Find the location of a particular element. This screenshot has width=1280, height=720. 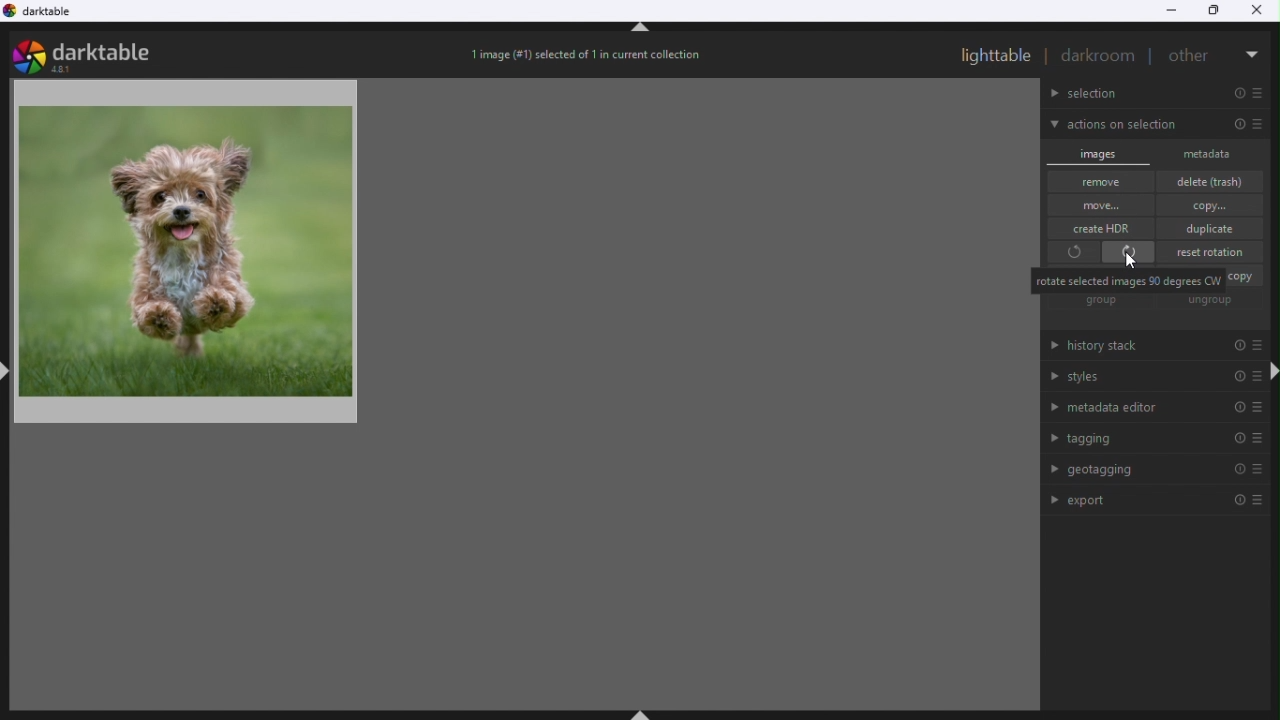

Dark room is located at coordinates (1099, 56).